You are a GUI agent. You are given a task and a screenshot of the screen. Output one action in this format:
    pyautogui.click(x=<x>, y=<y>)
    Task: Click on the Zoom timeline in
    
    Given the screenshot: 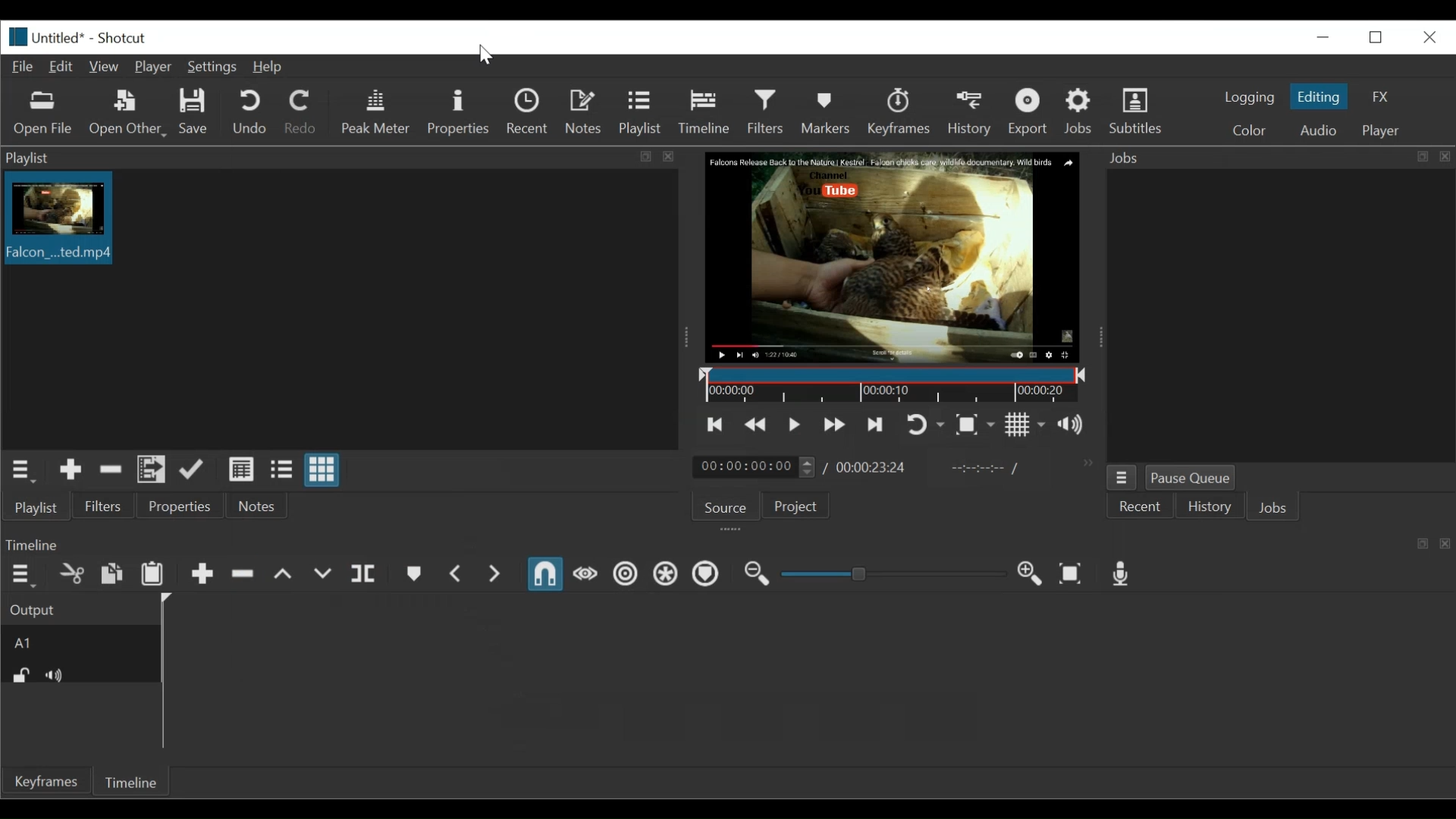 What is the action you would take?
    pyautogui.click(x=758, y=576)
    